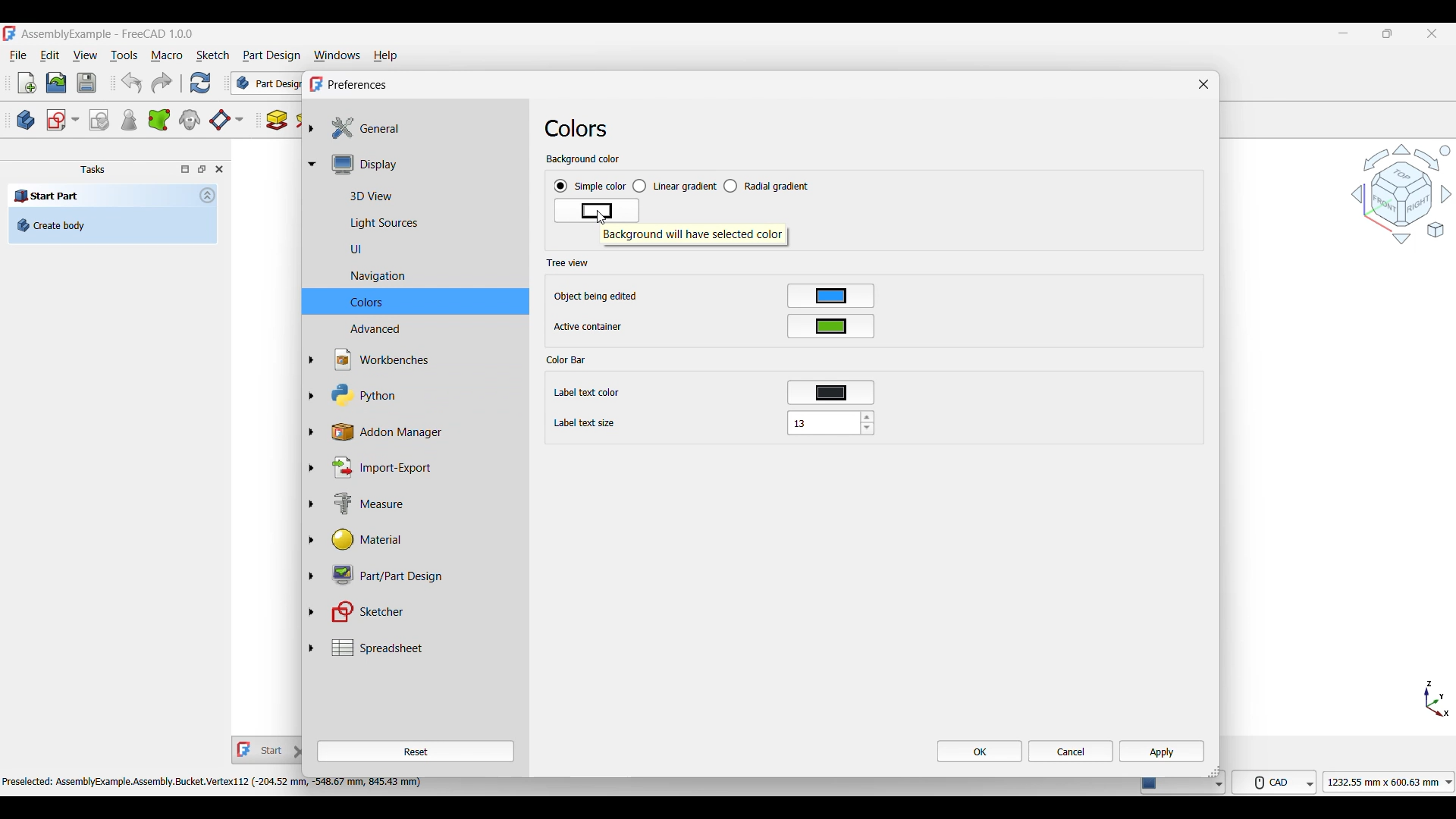 The image size is (1456, 819). Describe the element at coordinates (99, 121) in the screenshot. I see `Validate sketch` at that location.